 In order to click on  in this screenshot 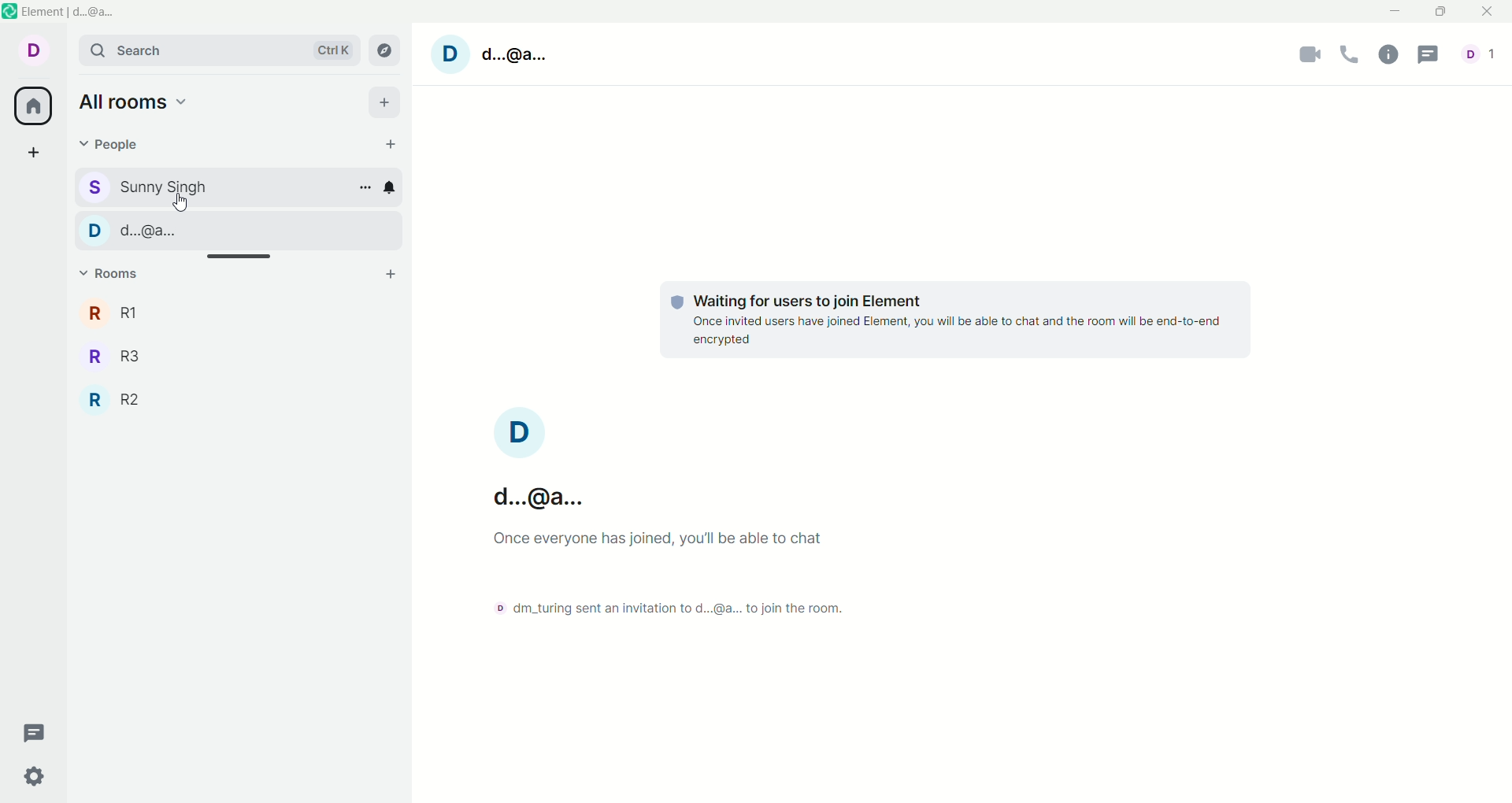, I will do `click(118, 397)`.